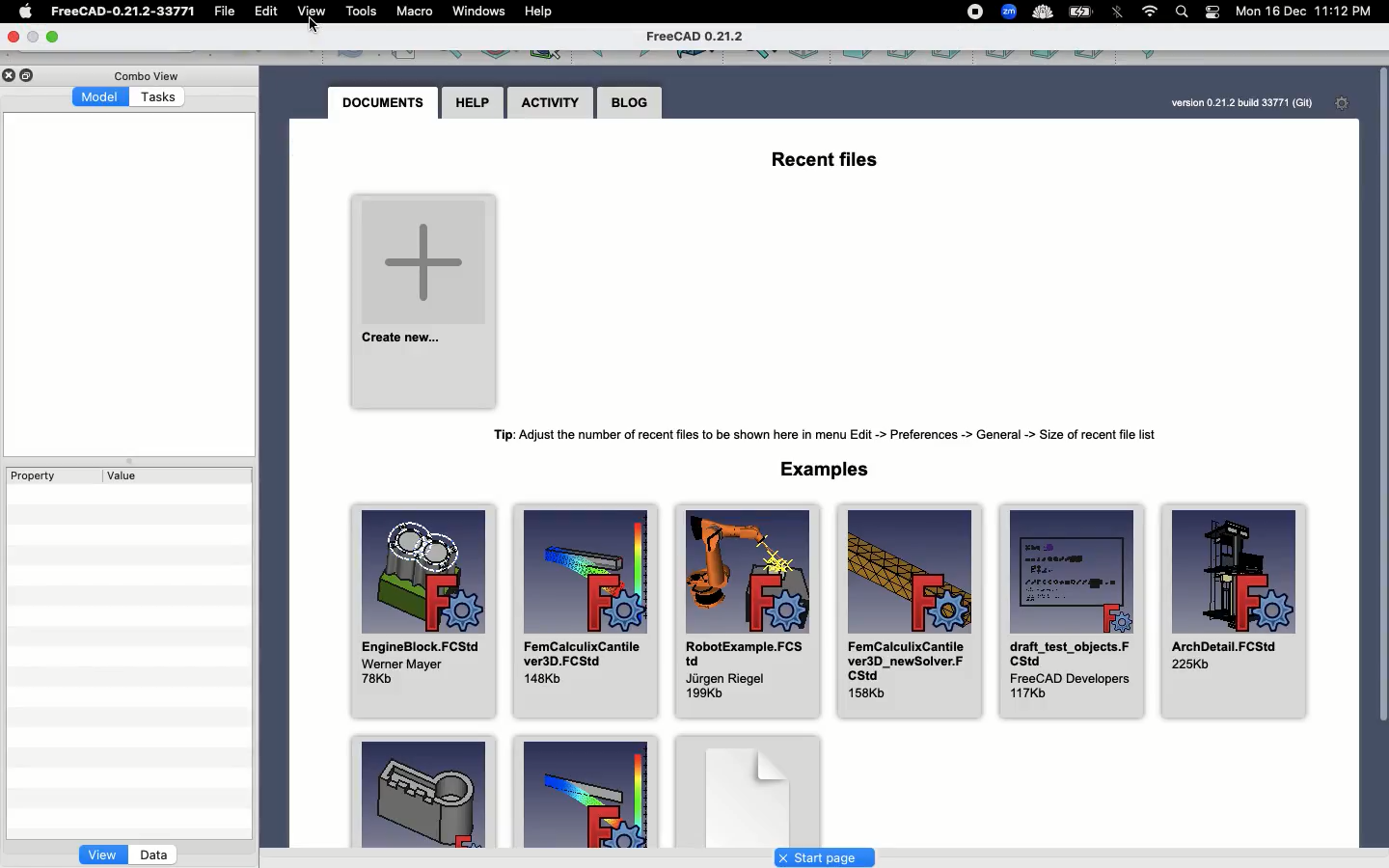 Image resolution: width=1389 pixels, height=868 pixels. Describe the element at coordinates (587, 610) in the screenshot. I see `FemCalculixCantilever3D.FCStd 148Kb,` at that location.